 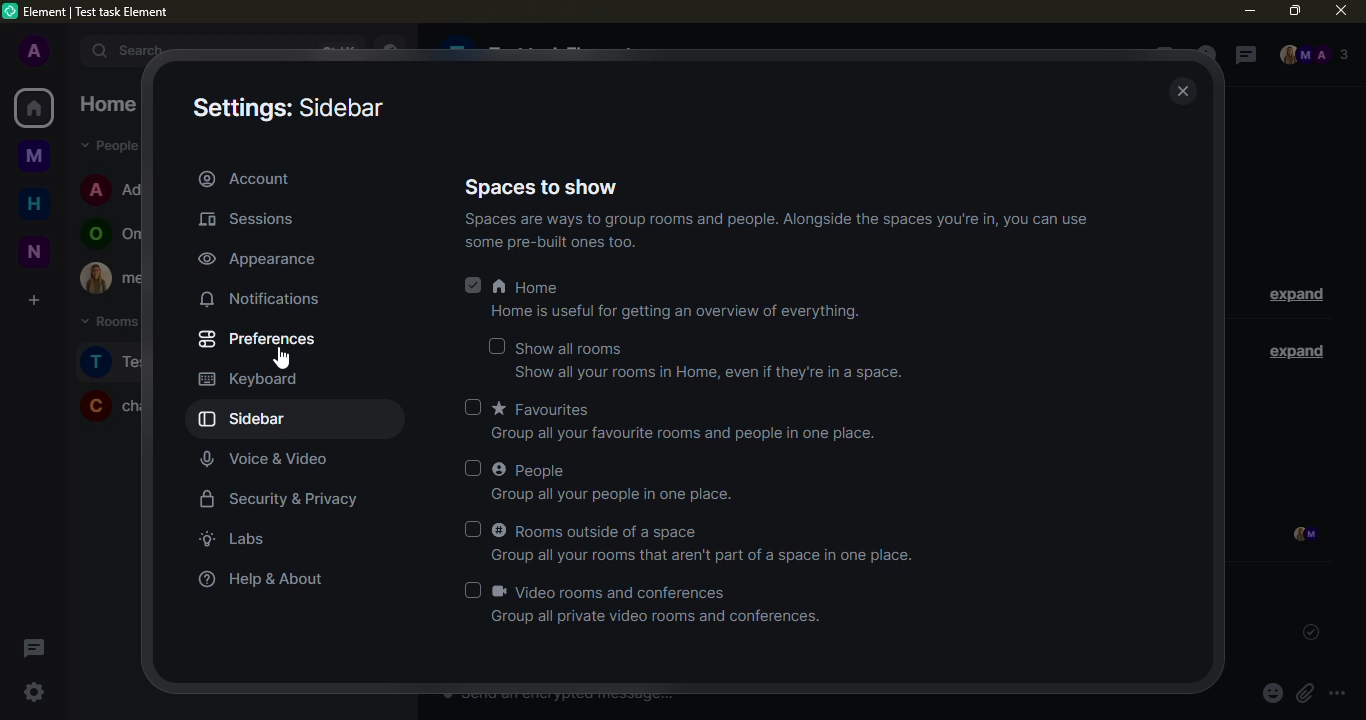 What do you see at coordinates (245, 178) in the screenshot?
I see `account` at bounding box center [245, 178].